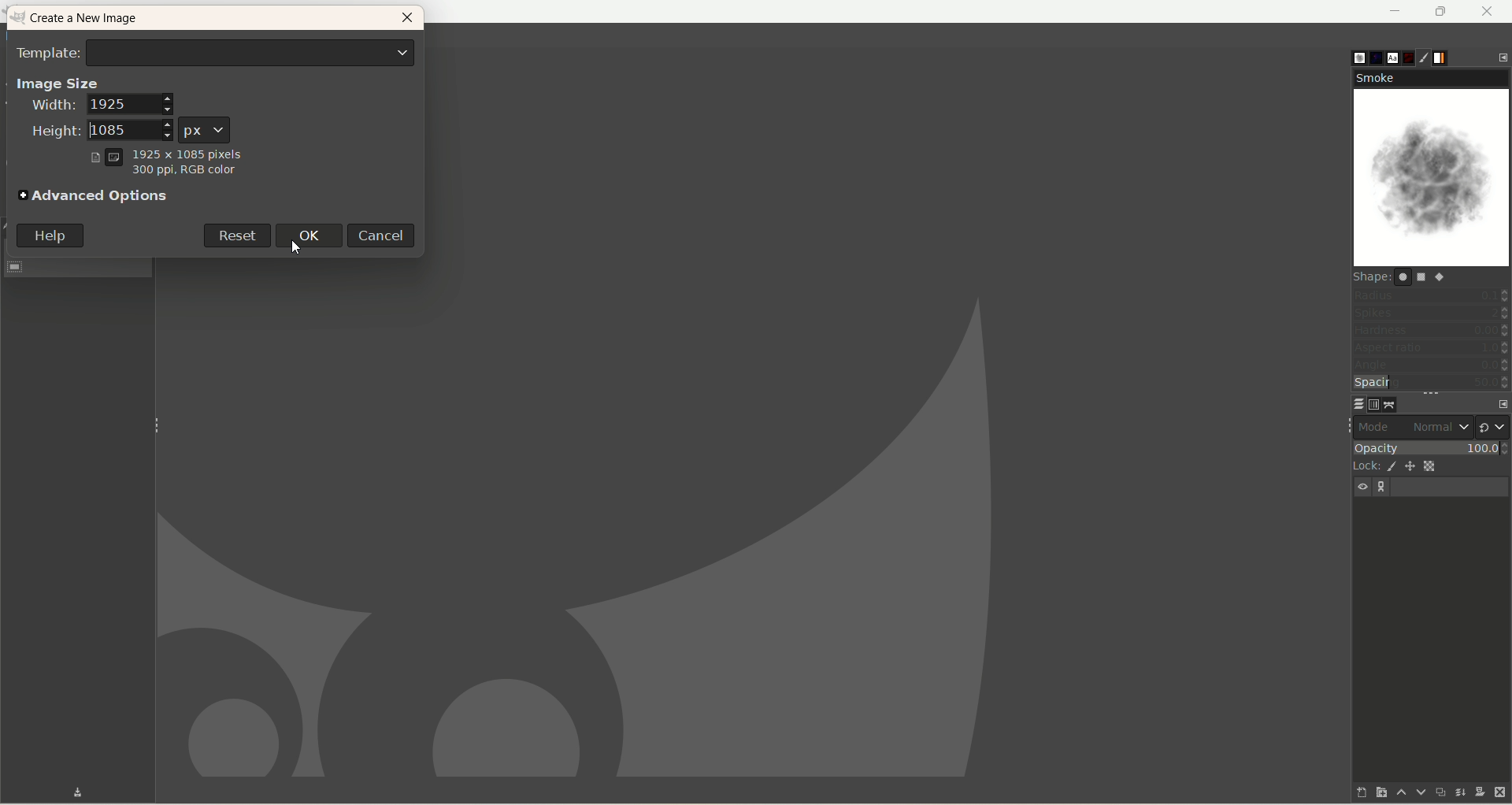  Describe the element at coordinates (1370, 404) in the screenshot. I see `channel` at that location.